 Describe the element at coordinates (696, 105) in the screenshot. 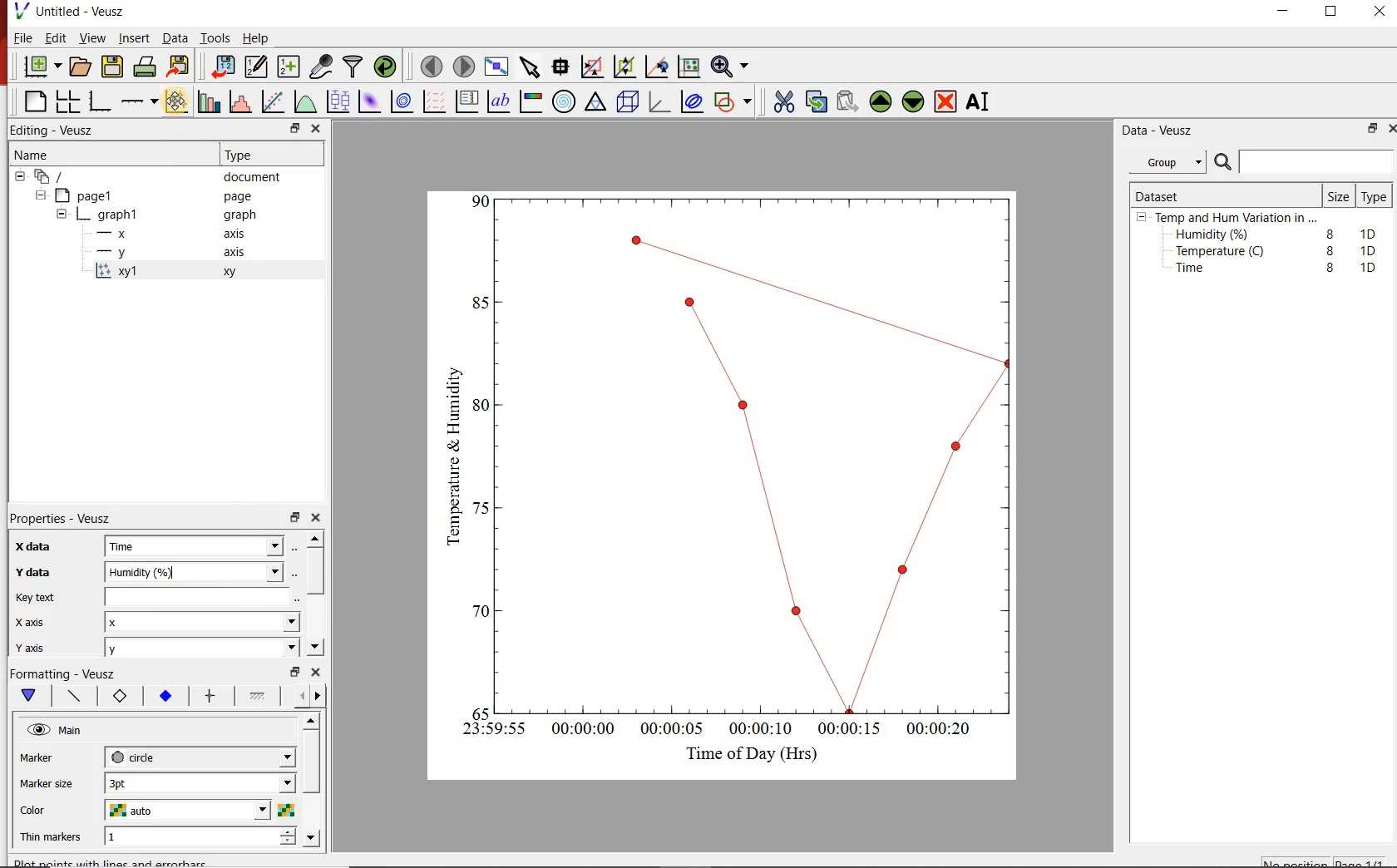

I see `plot covariance ellipses` at that location.